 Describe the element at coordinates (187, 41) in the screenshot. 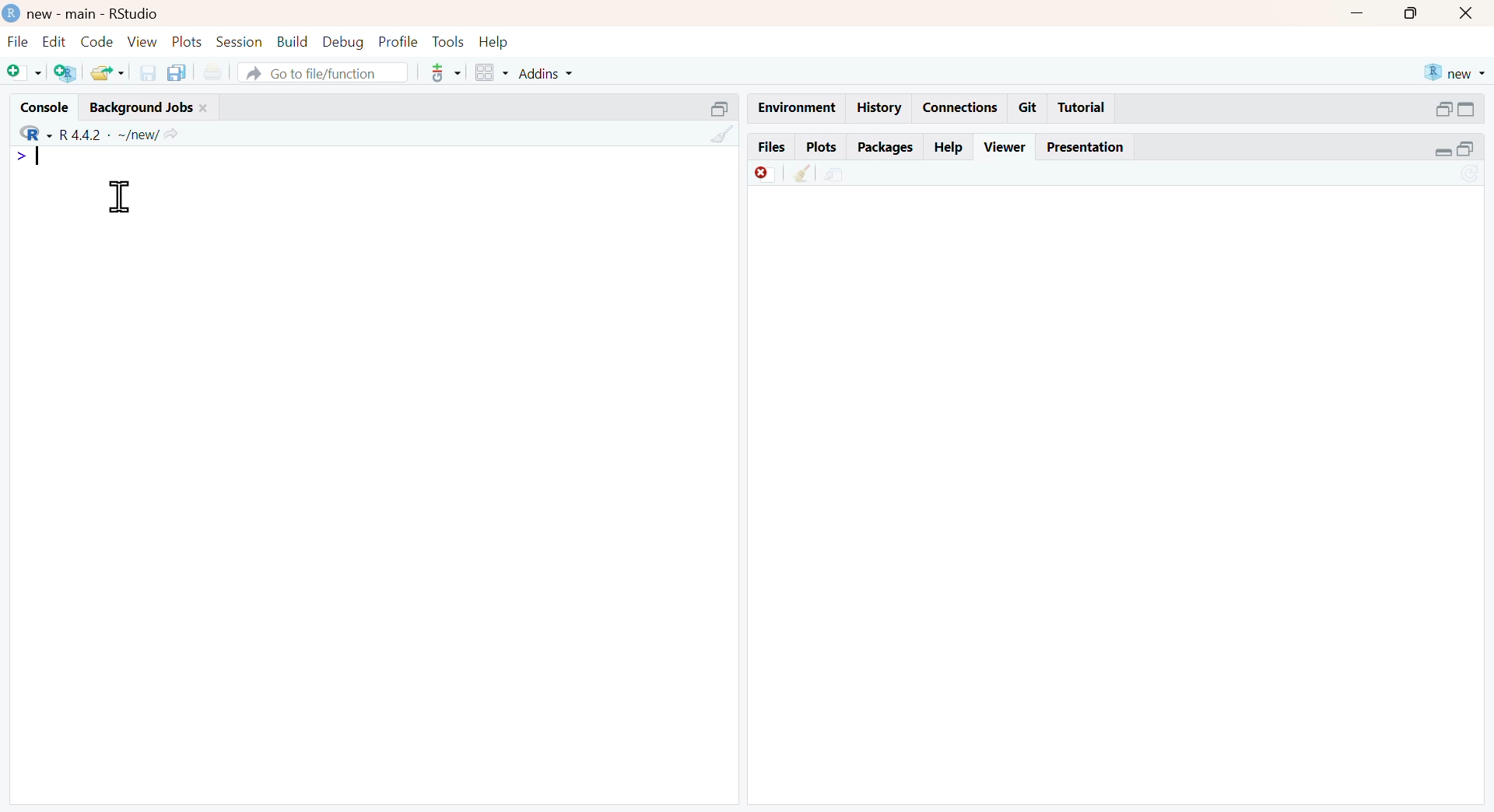

I see `plots` at that location.